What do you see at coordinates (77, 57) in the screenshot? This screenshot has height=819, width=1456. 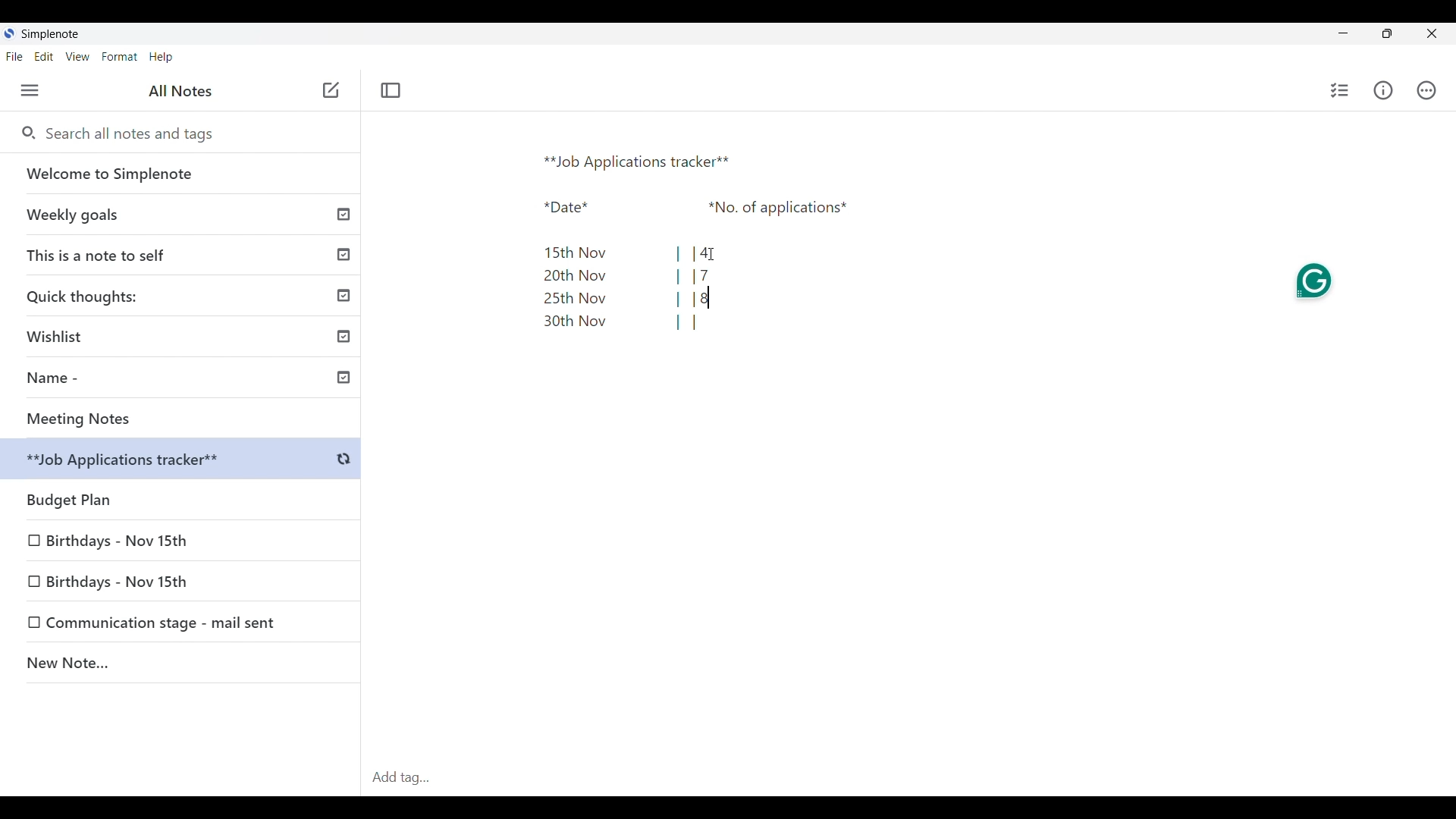 I see `View` at bounding box center [77, 57].